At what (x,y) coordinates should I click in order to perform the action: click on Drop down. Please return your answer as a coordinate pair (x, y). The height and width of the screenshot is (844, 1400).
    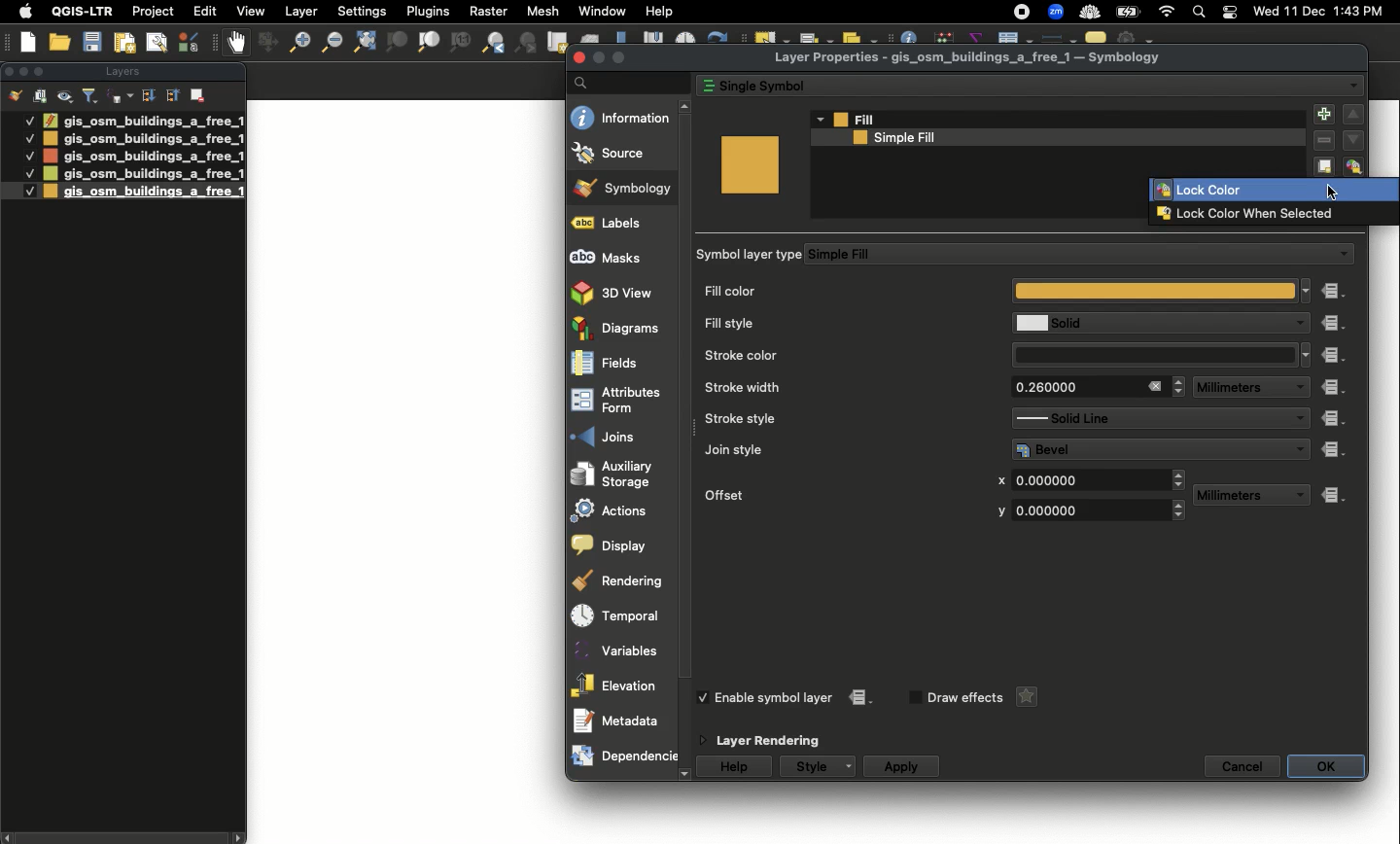
    Looking at the image, I should click on (1302, 448).